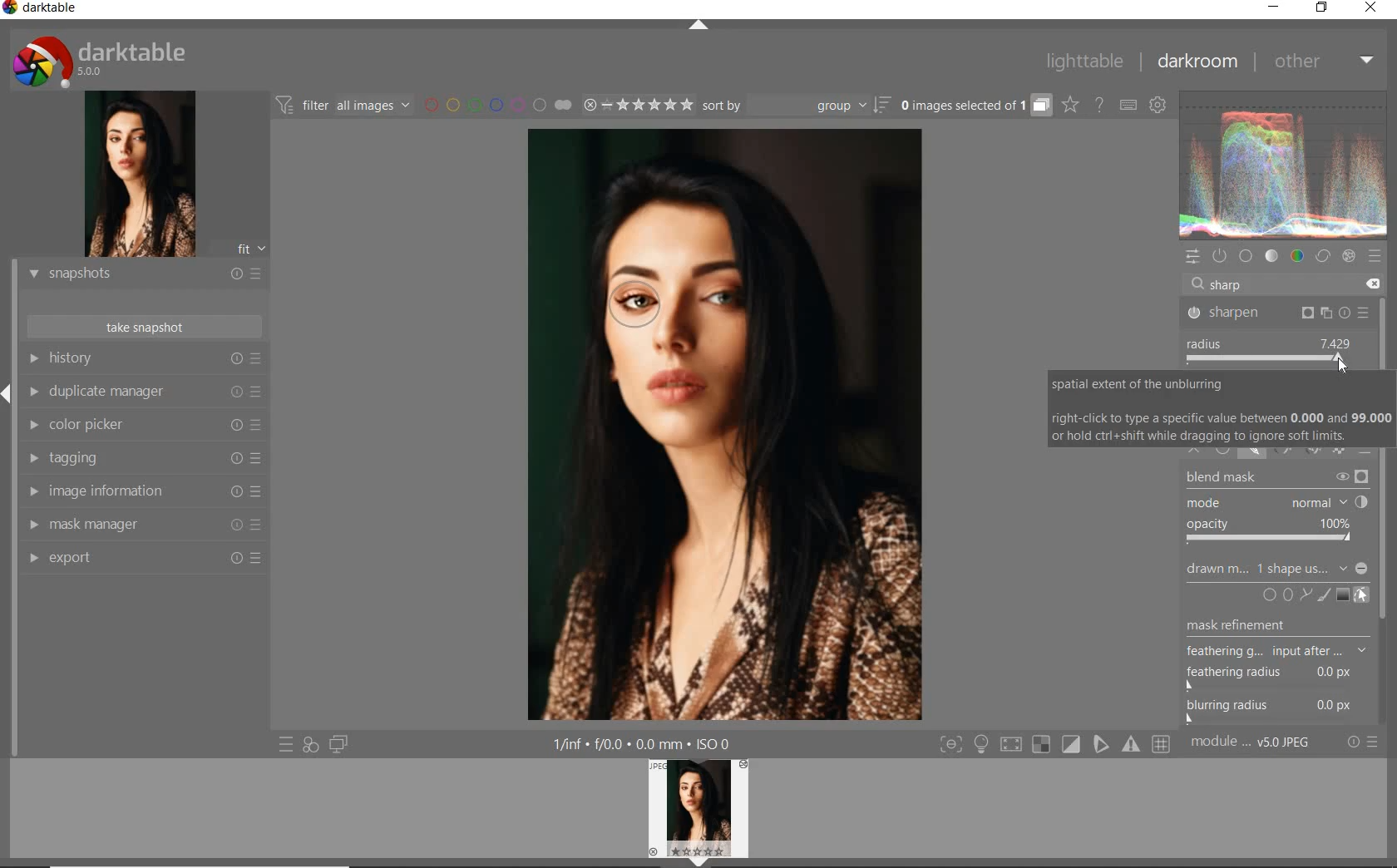 The height and width of the screenshot is (868, 1397). I want to click on duplicate manager, so click(144, 390).